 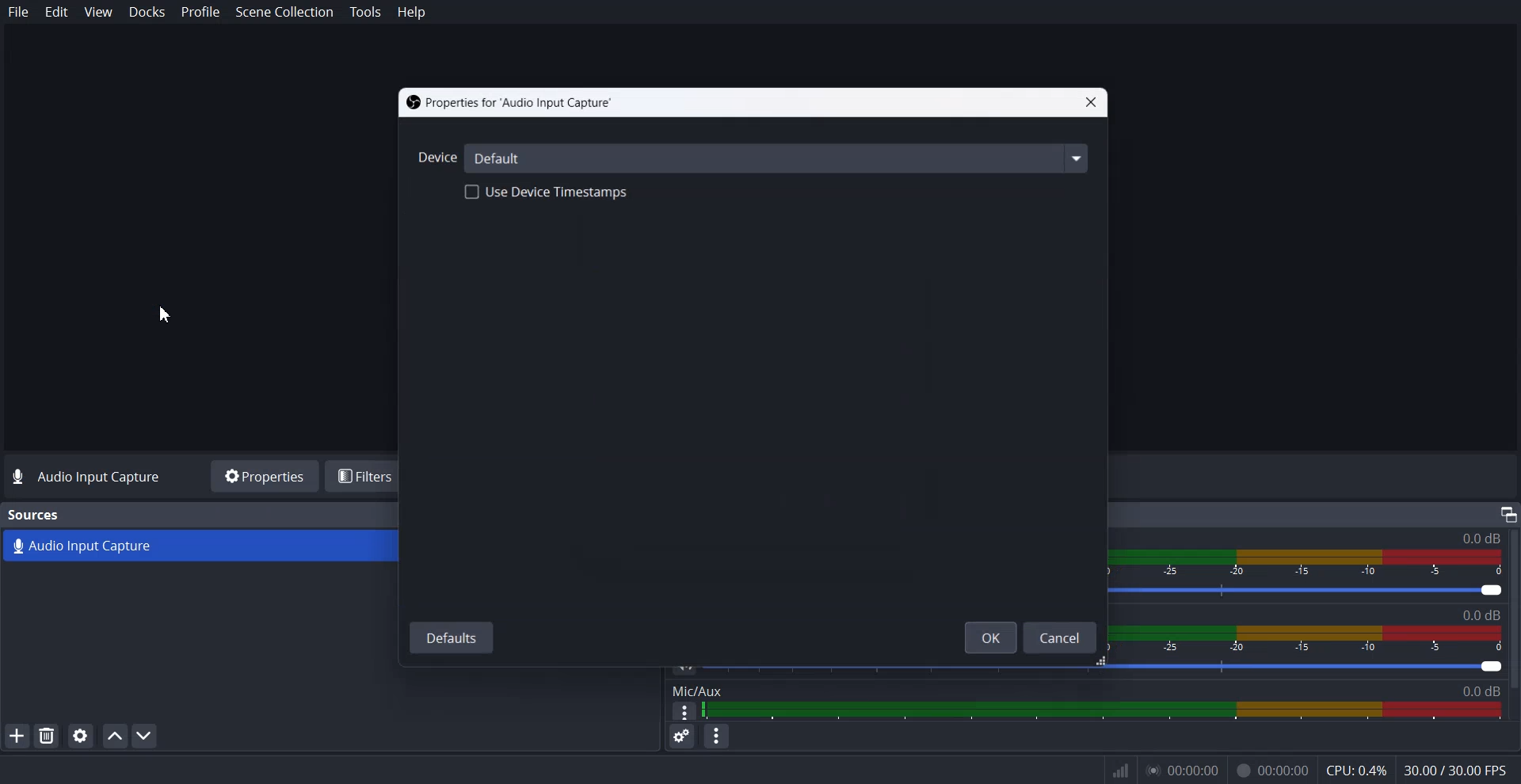 I want to click on Cursor, so click(x=166, y=314).